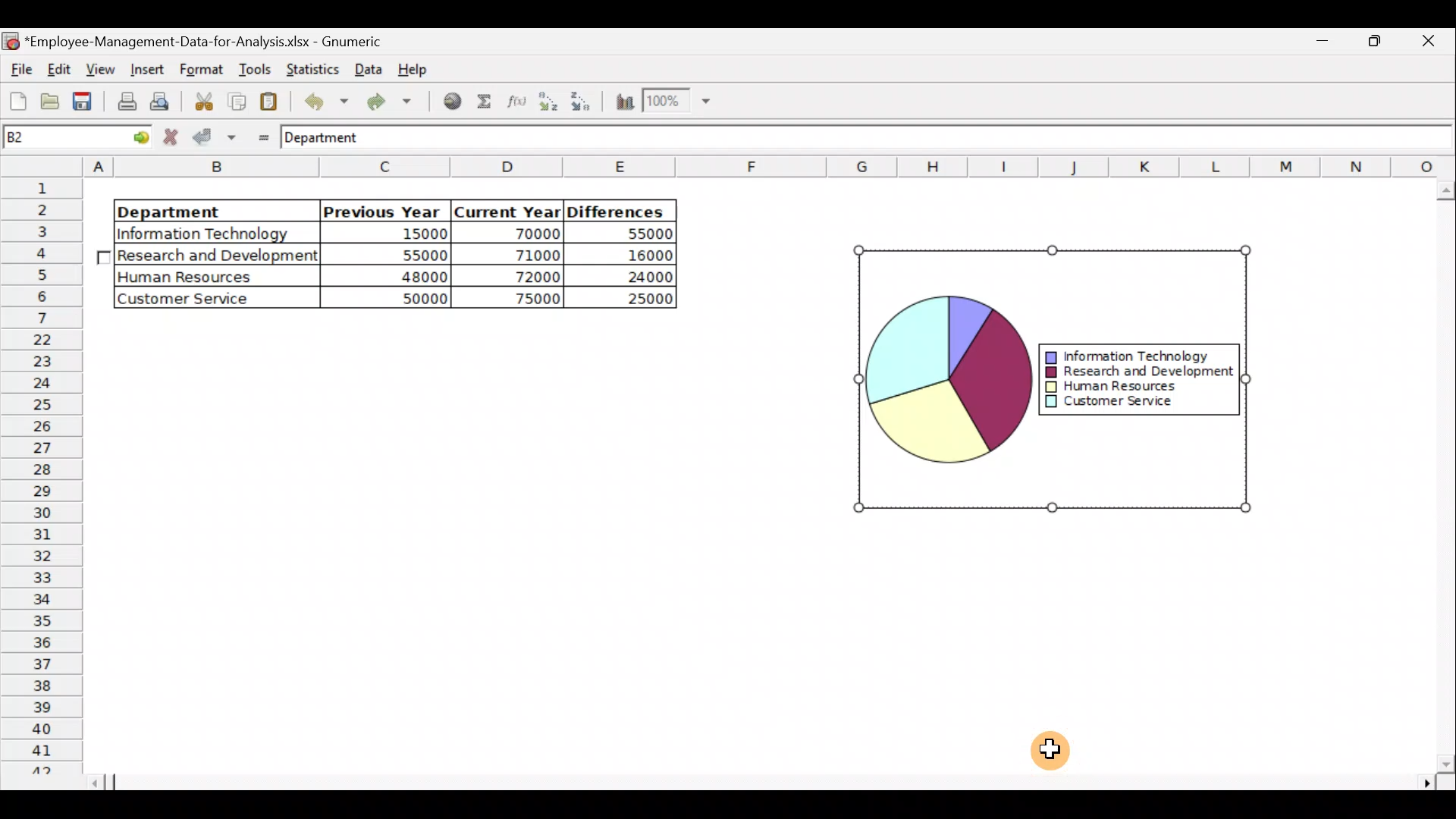 Image resolution: width=1456 pixels, height=819 pixels. I want to click on View, so click(103, 67).